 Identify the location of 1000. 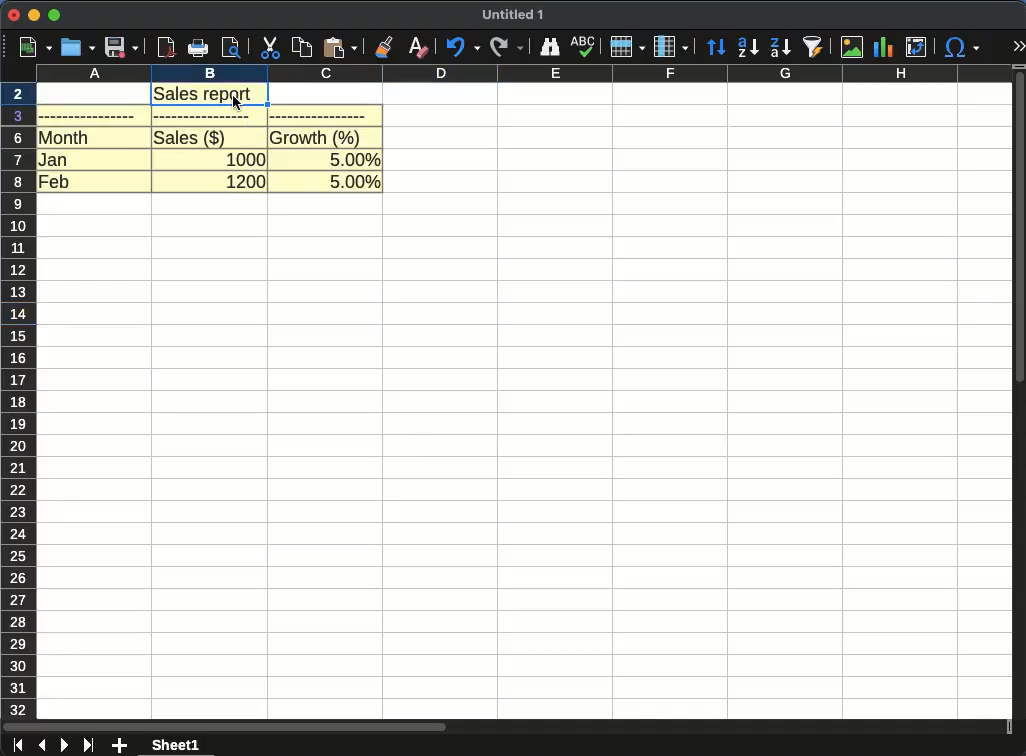
(246, 157).